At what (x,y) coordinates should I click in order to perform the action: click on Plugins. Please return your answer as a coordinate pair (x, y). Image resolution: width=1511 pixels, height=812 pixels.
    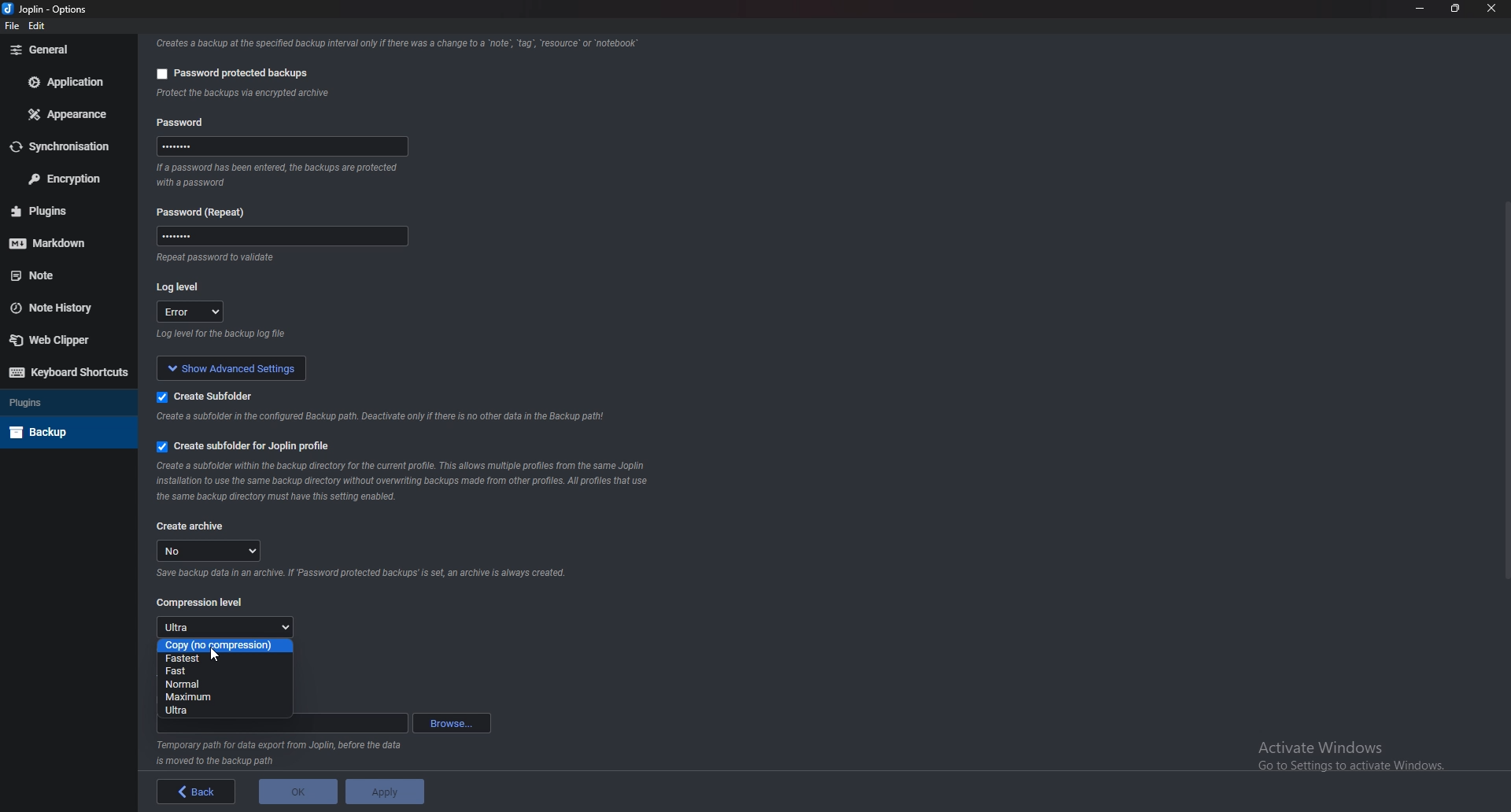
    Looking at the image, I should click on (65, 403).